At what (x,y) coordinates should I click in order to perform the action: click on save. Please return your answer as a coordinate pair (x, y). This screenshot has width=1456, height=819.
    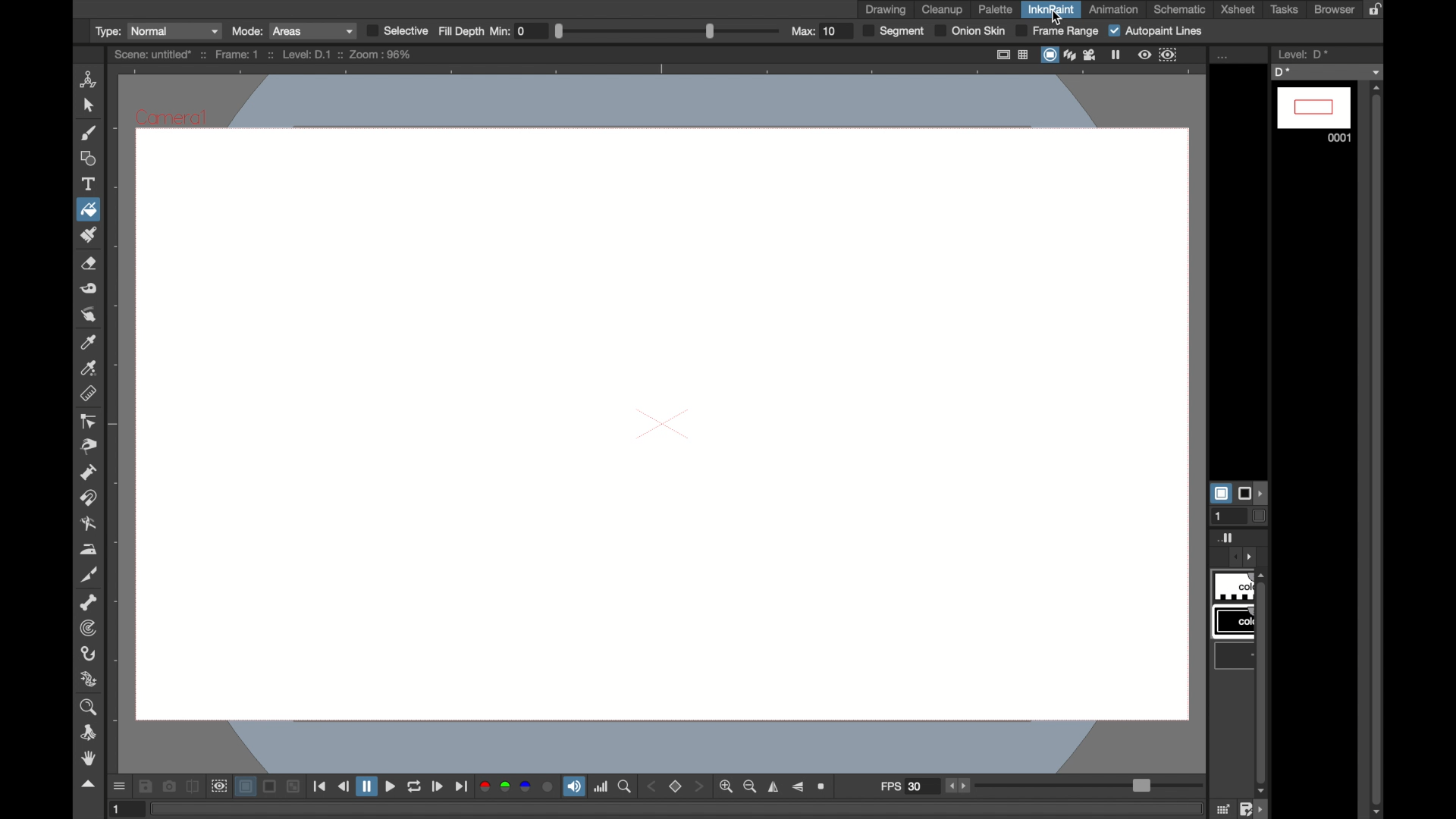
    Looking at the image, I should click on (146, 786).